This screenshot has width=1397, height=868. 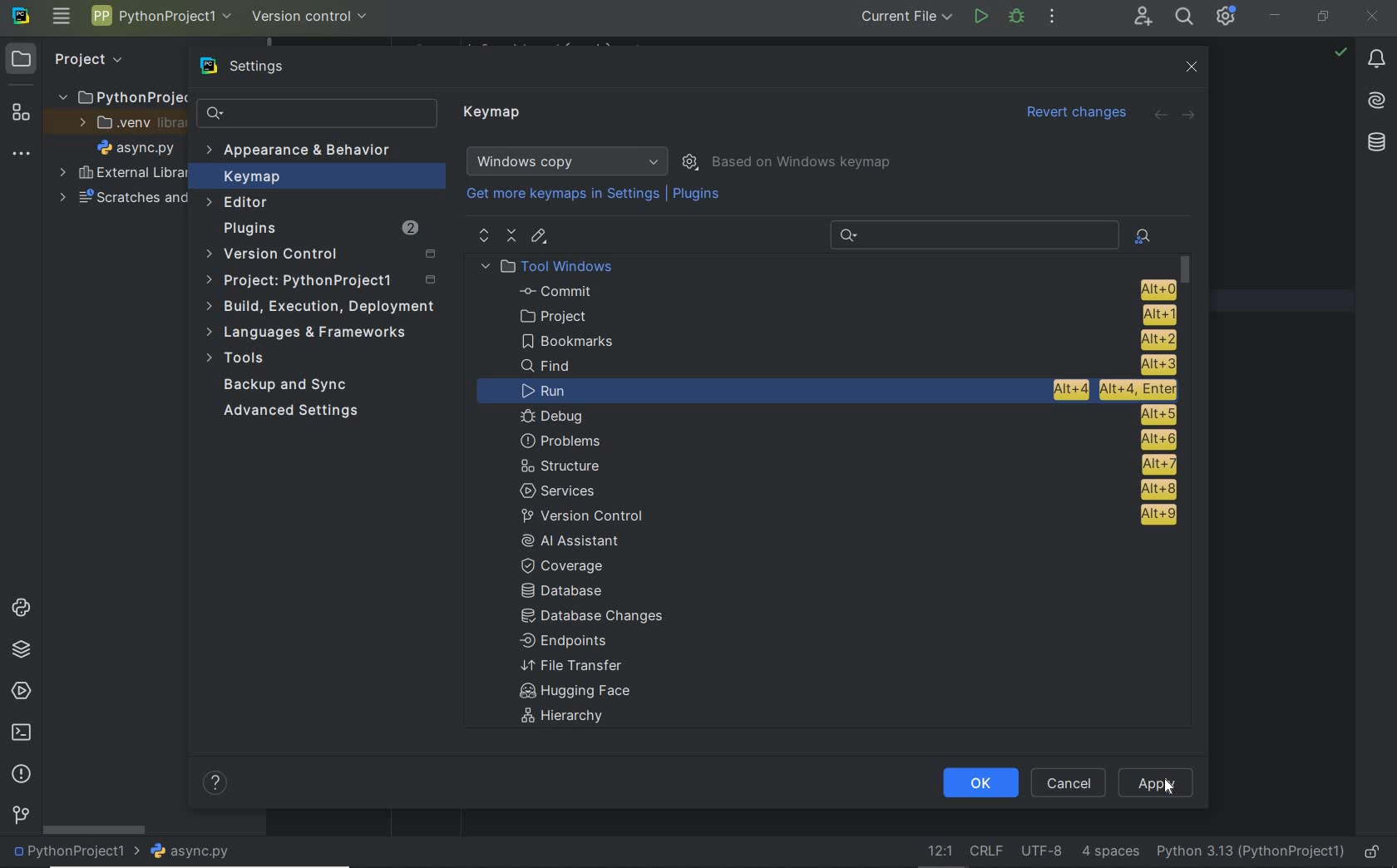 I want to click on scrollbar, so click(x=1191, y=382).